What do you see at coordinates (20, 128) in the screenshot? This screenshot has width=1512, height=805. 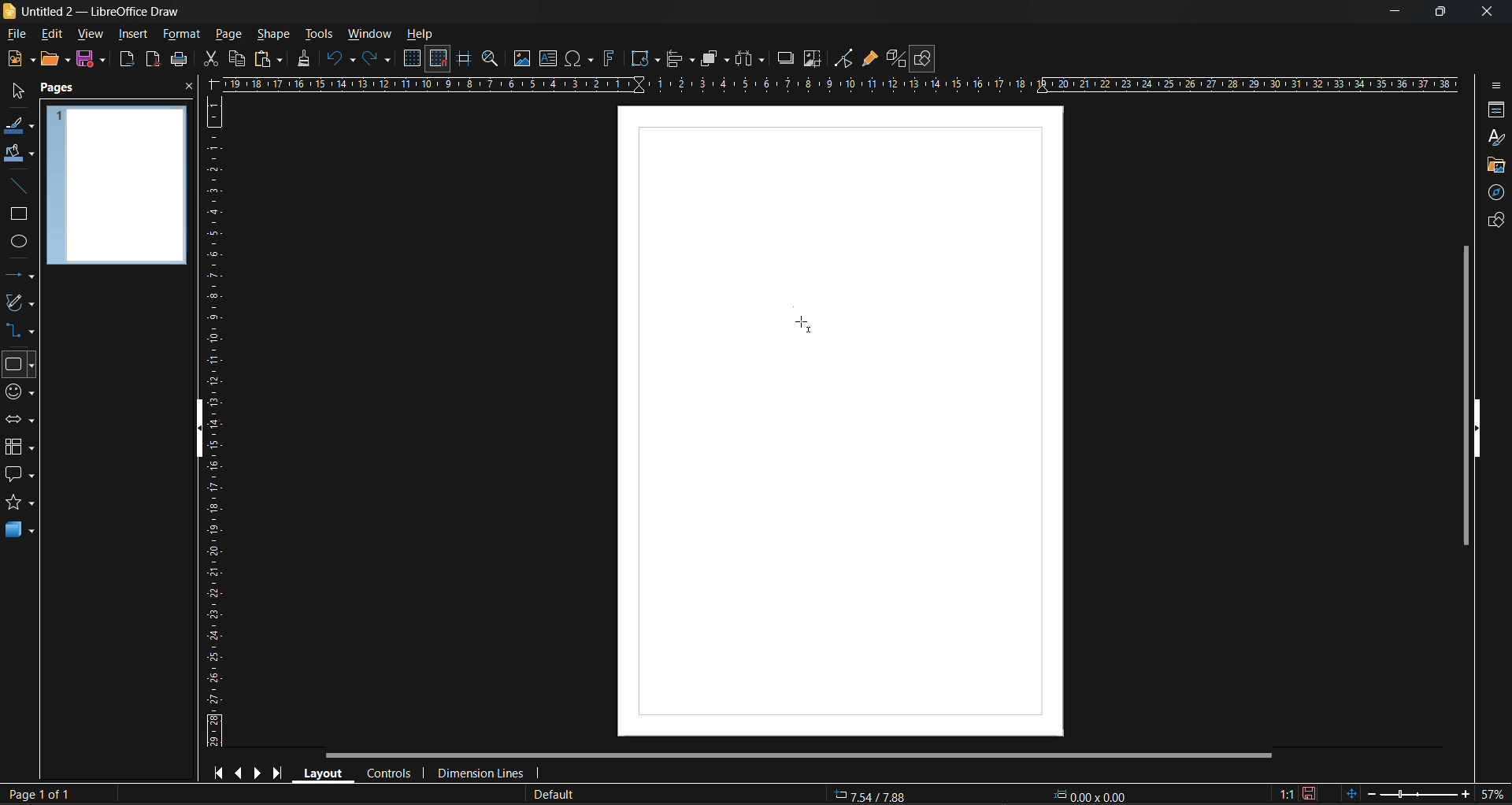 I see `line color` at bounding box center [20, 128].